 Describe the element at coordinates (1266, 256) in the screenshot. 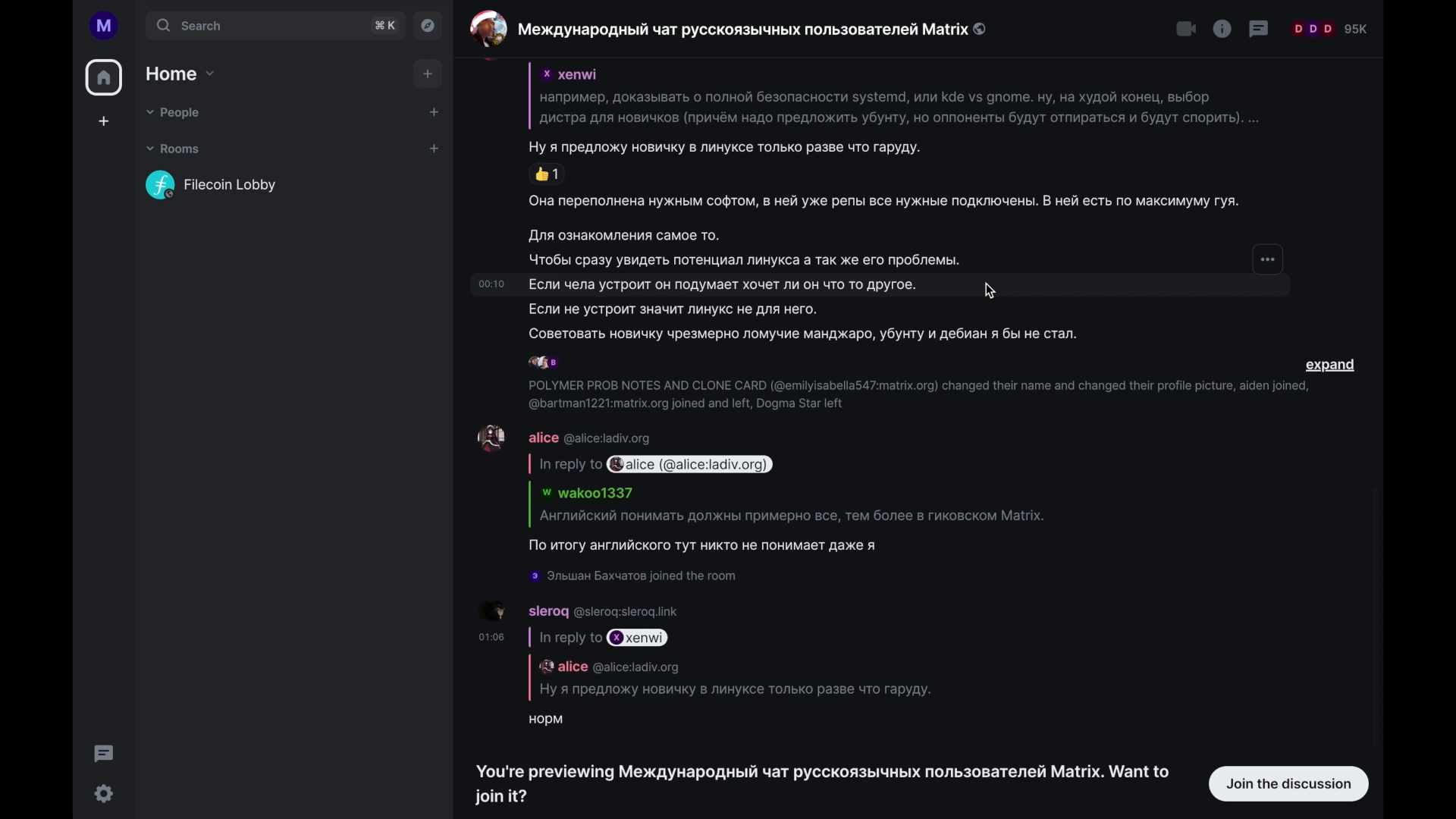

I see `options` at that location.